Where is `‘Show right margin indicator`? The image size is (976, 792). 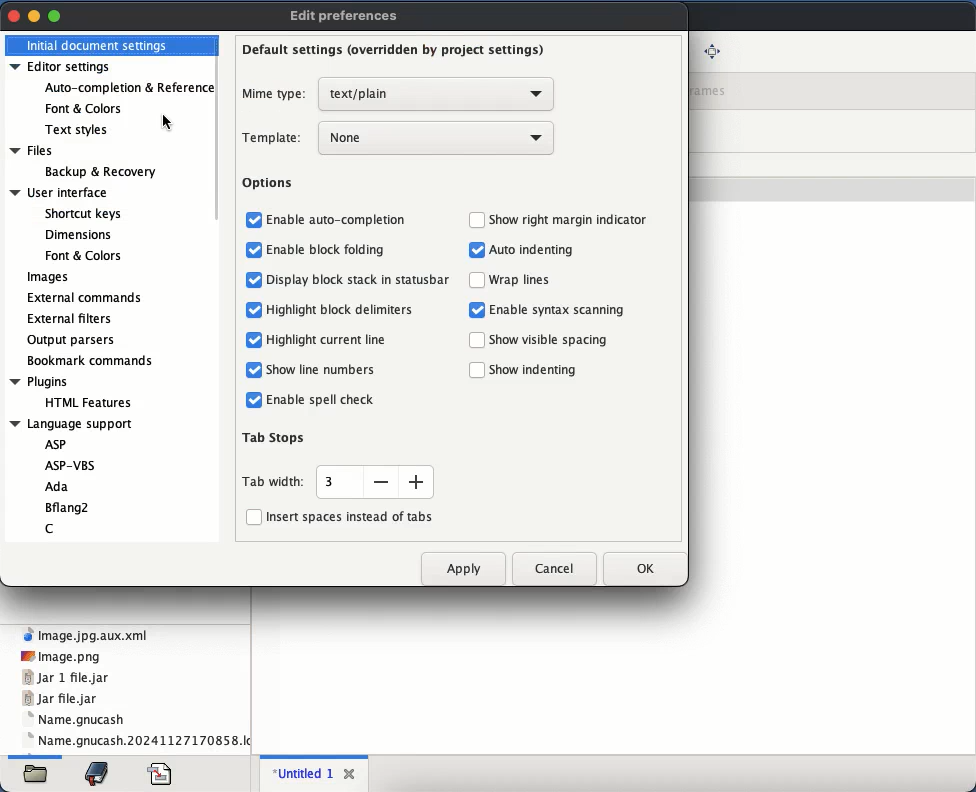
‘Show right margin indicator is located at coordinates (570, 221).